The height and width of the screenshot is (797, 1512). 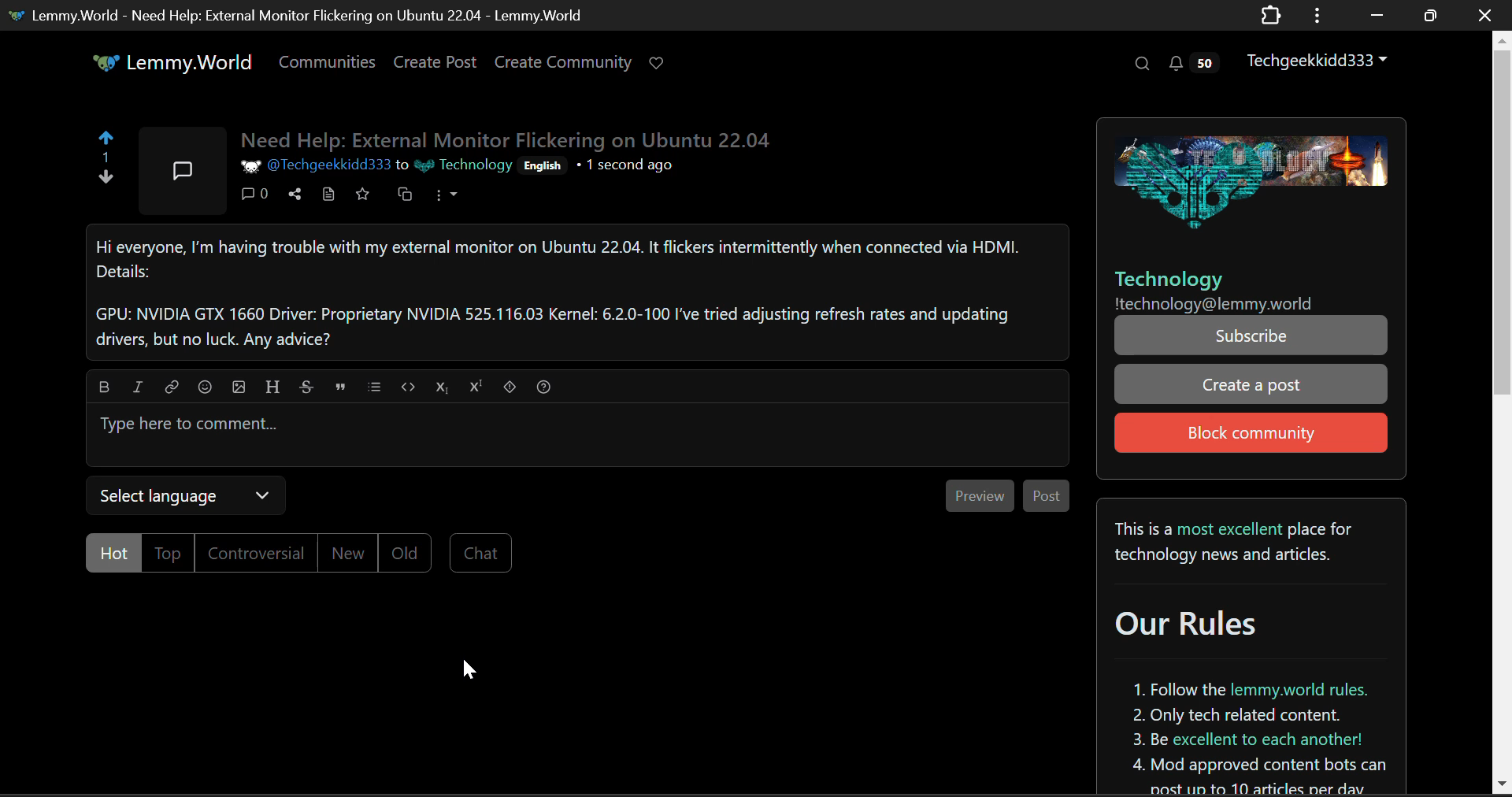 I want to click on Techgeekkidd333, so click(x=1318, y=58).